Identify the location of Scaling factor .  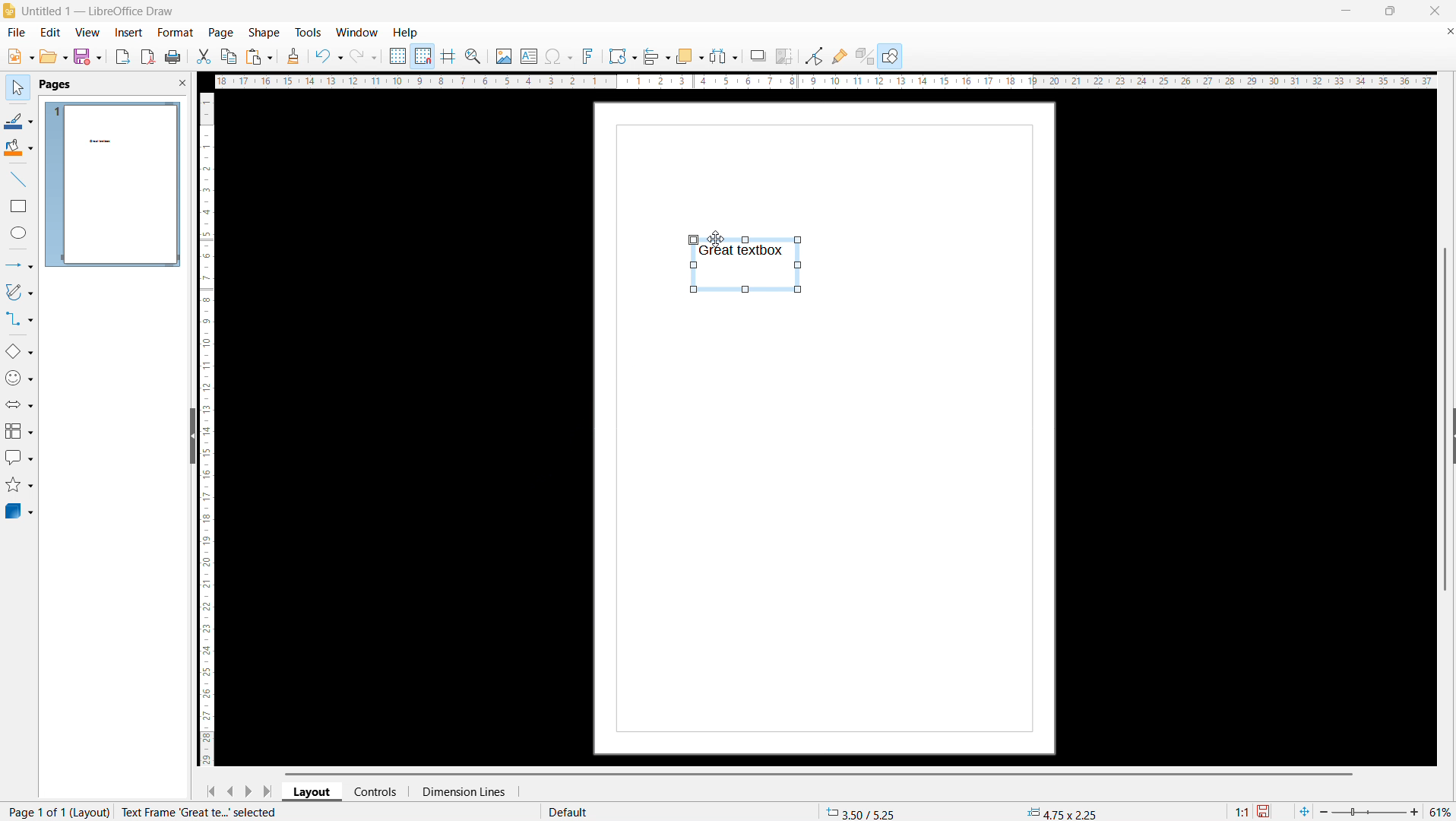
(1242, 810).